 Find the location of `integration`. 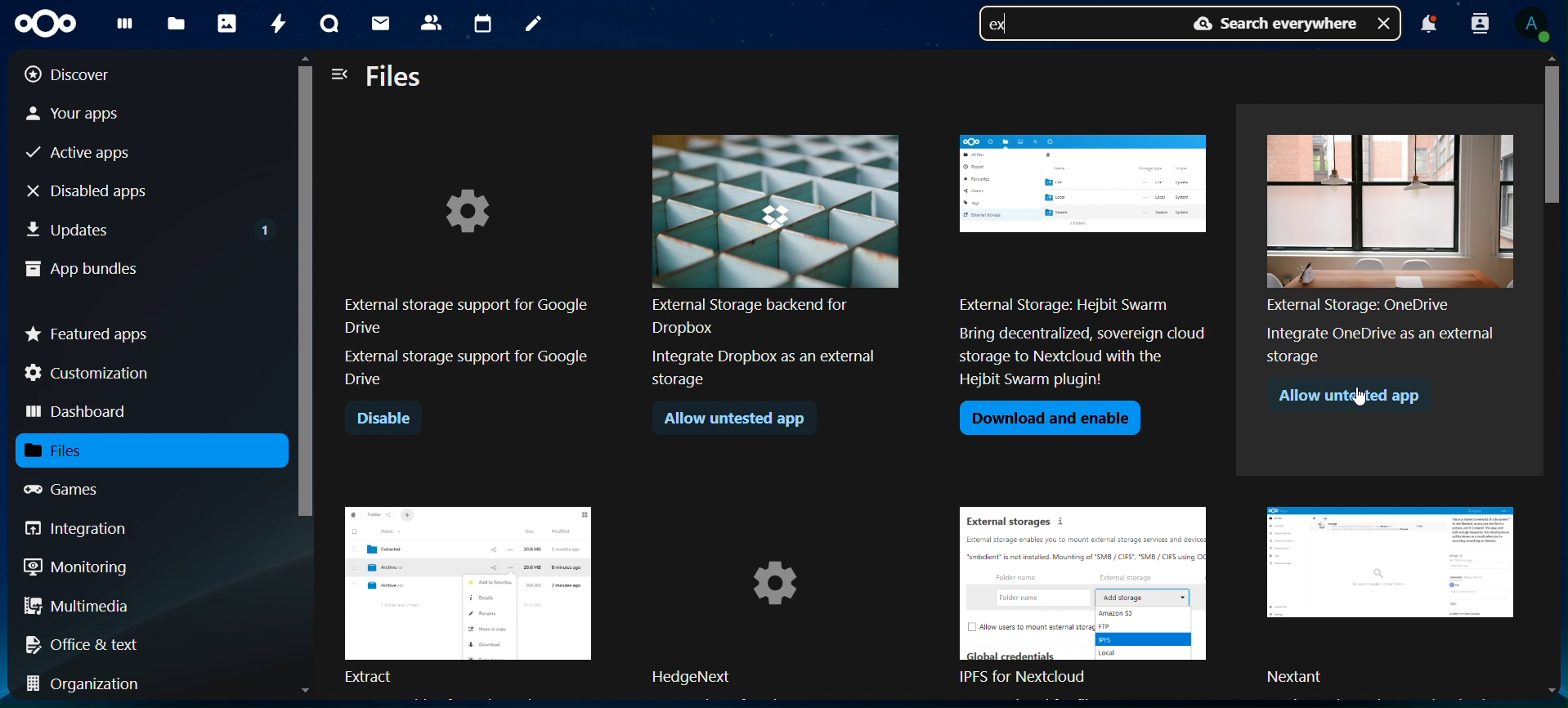

integration is located at coordinates (88, 528).